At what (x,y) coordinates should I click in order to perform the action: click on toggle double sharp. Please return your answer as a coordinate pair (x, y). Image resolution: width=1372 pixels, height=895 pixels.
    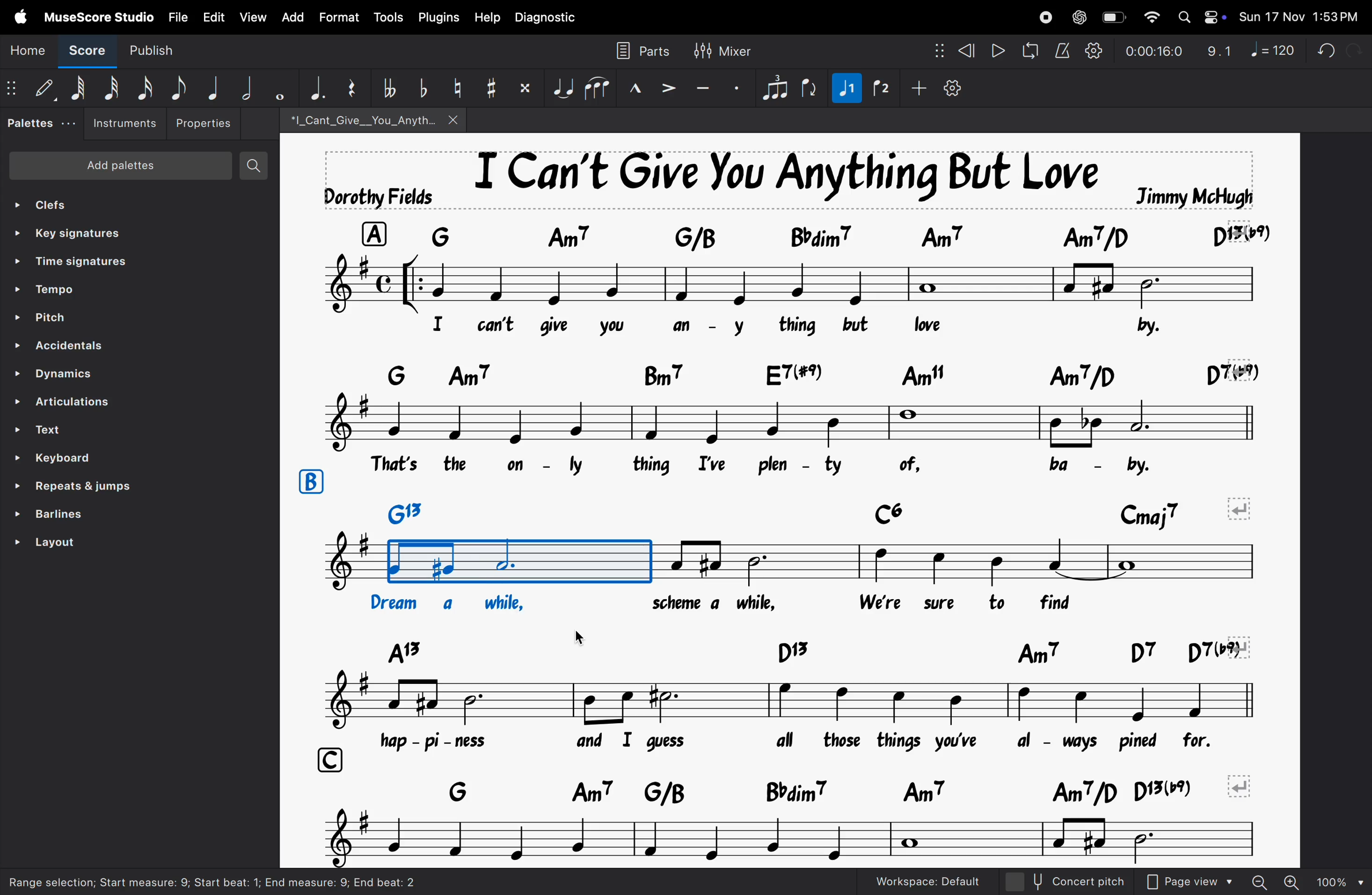
    Looking at the image, I should click on (525, 88).